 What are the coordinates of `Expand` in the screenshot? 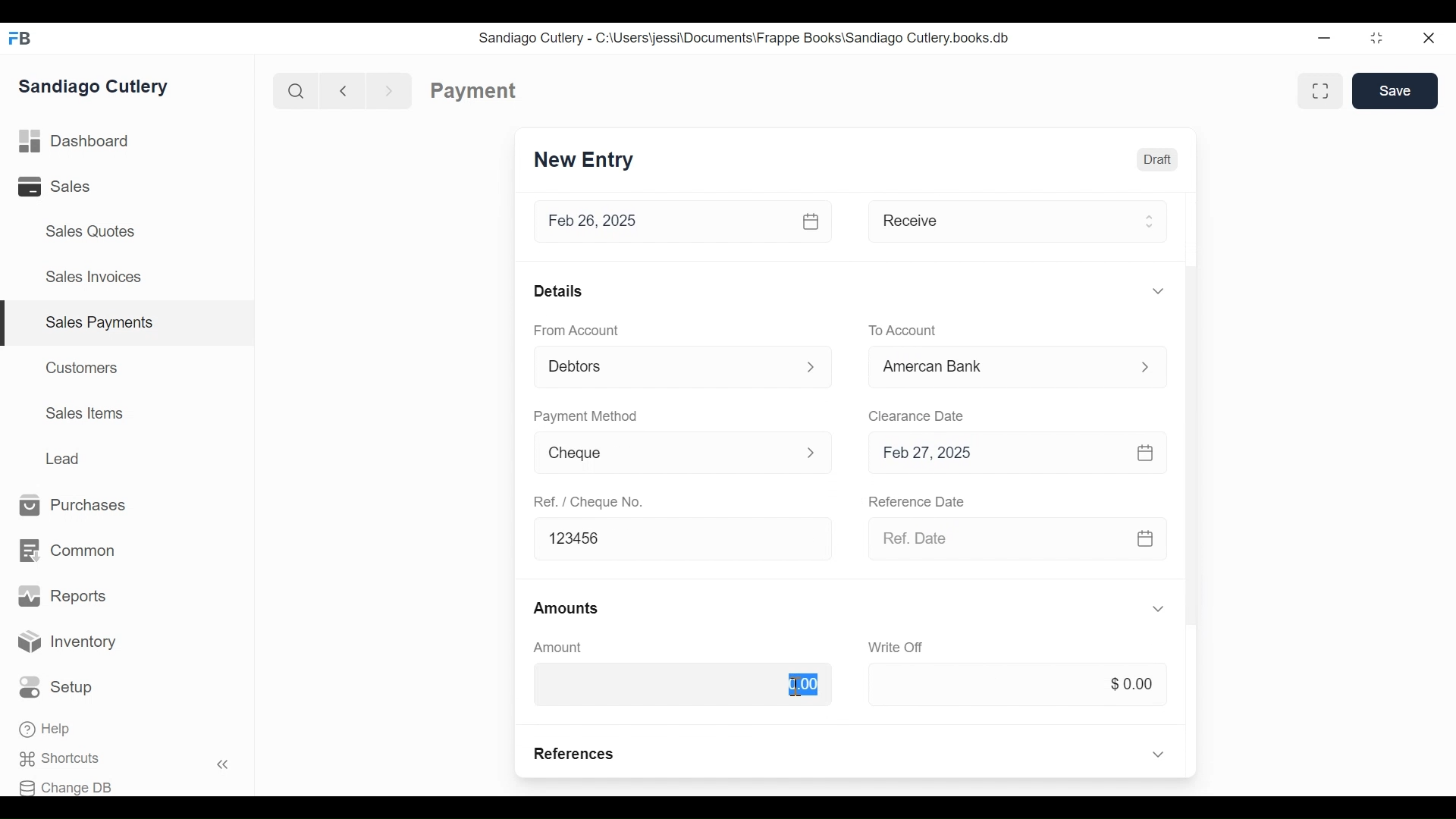 It's located at (1159, 609).